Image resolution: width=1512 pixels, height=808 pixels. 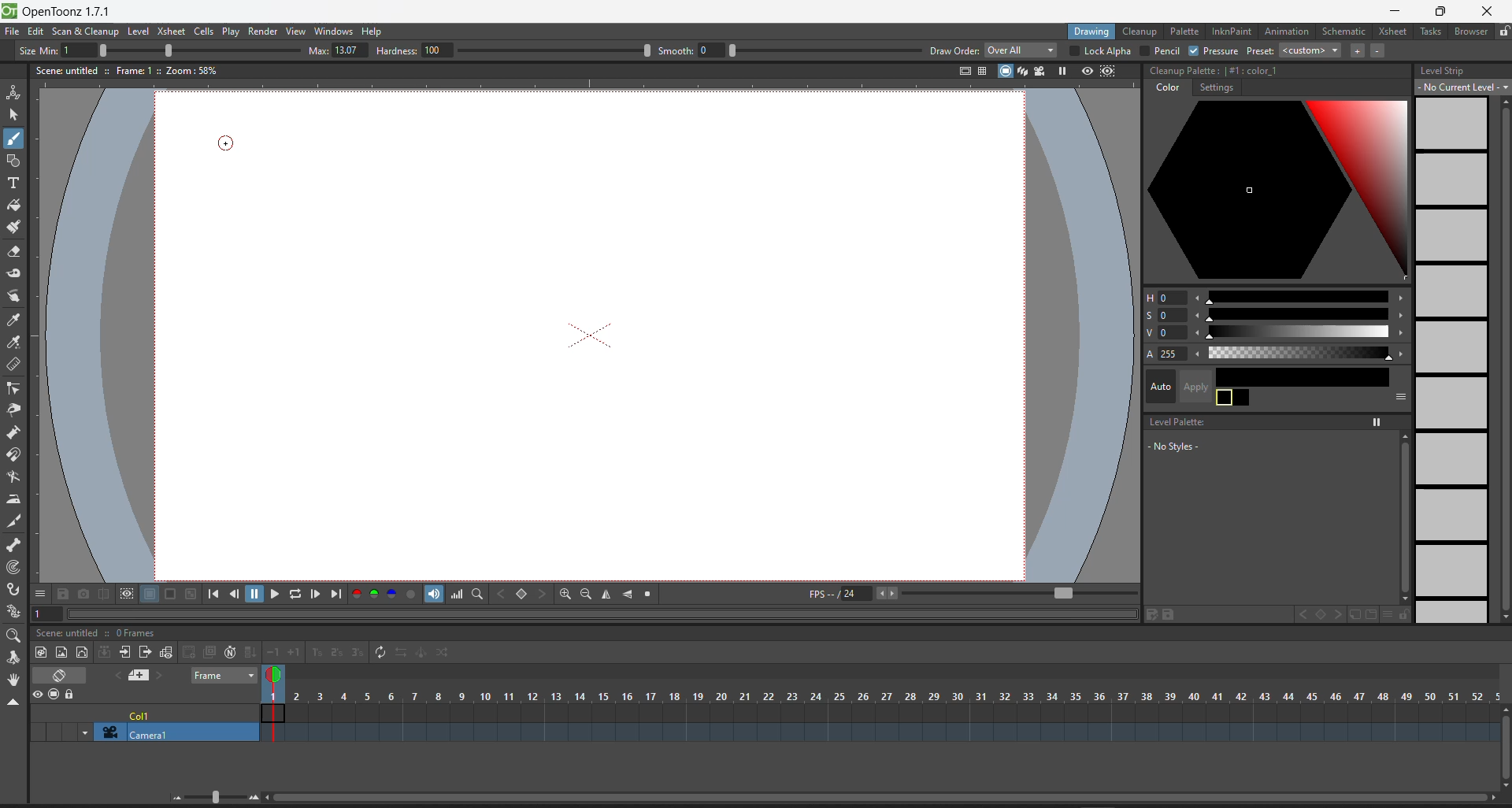 What do you see at coordinates (1172, 614) in the screenshot?
I see `save palette` at bounding box center [1172, 614].